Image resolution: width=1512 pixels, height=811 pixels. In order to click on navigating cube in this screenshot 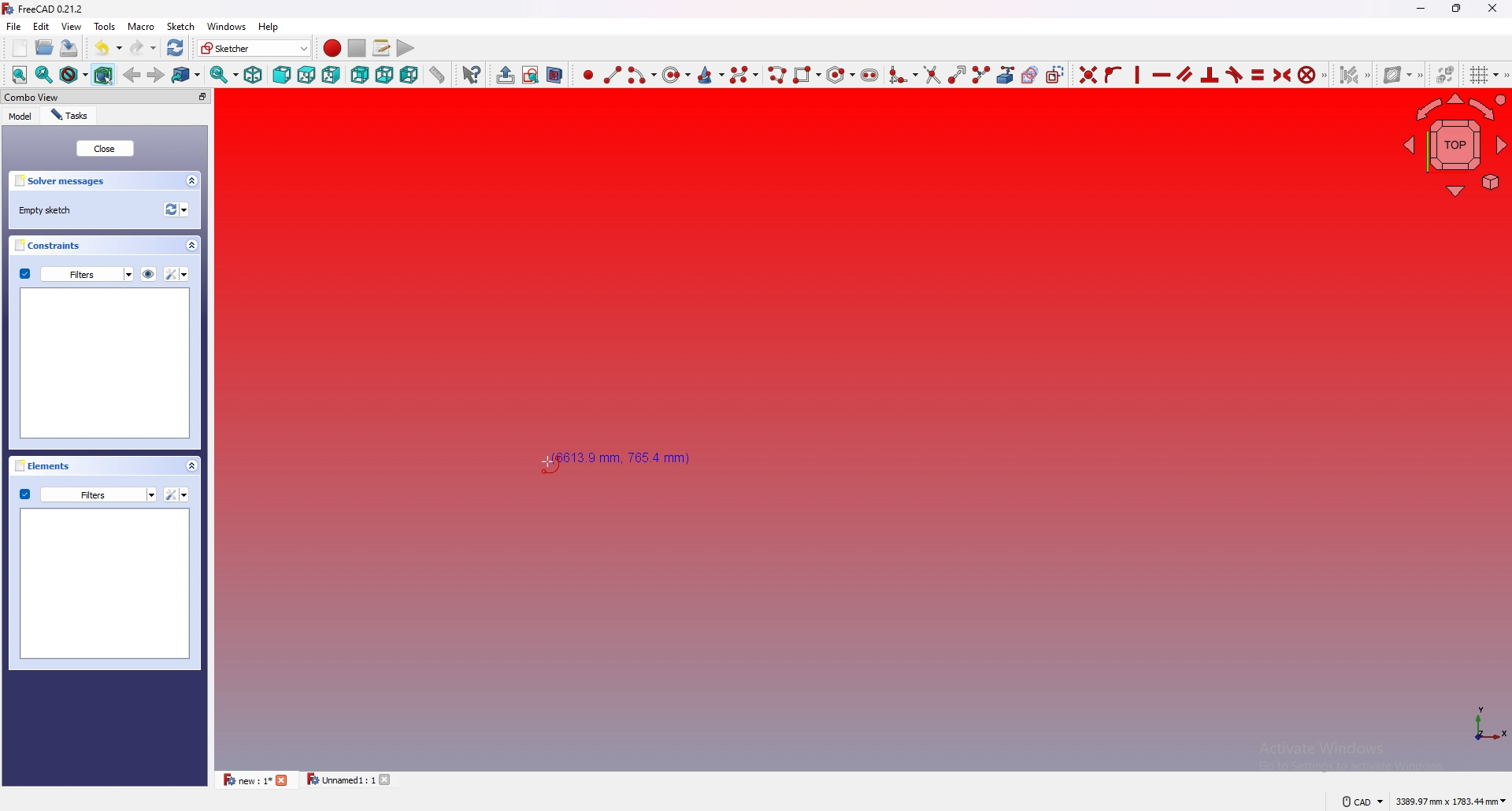, I will do `click(1455, 143)`.